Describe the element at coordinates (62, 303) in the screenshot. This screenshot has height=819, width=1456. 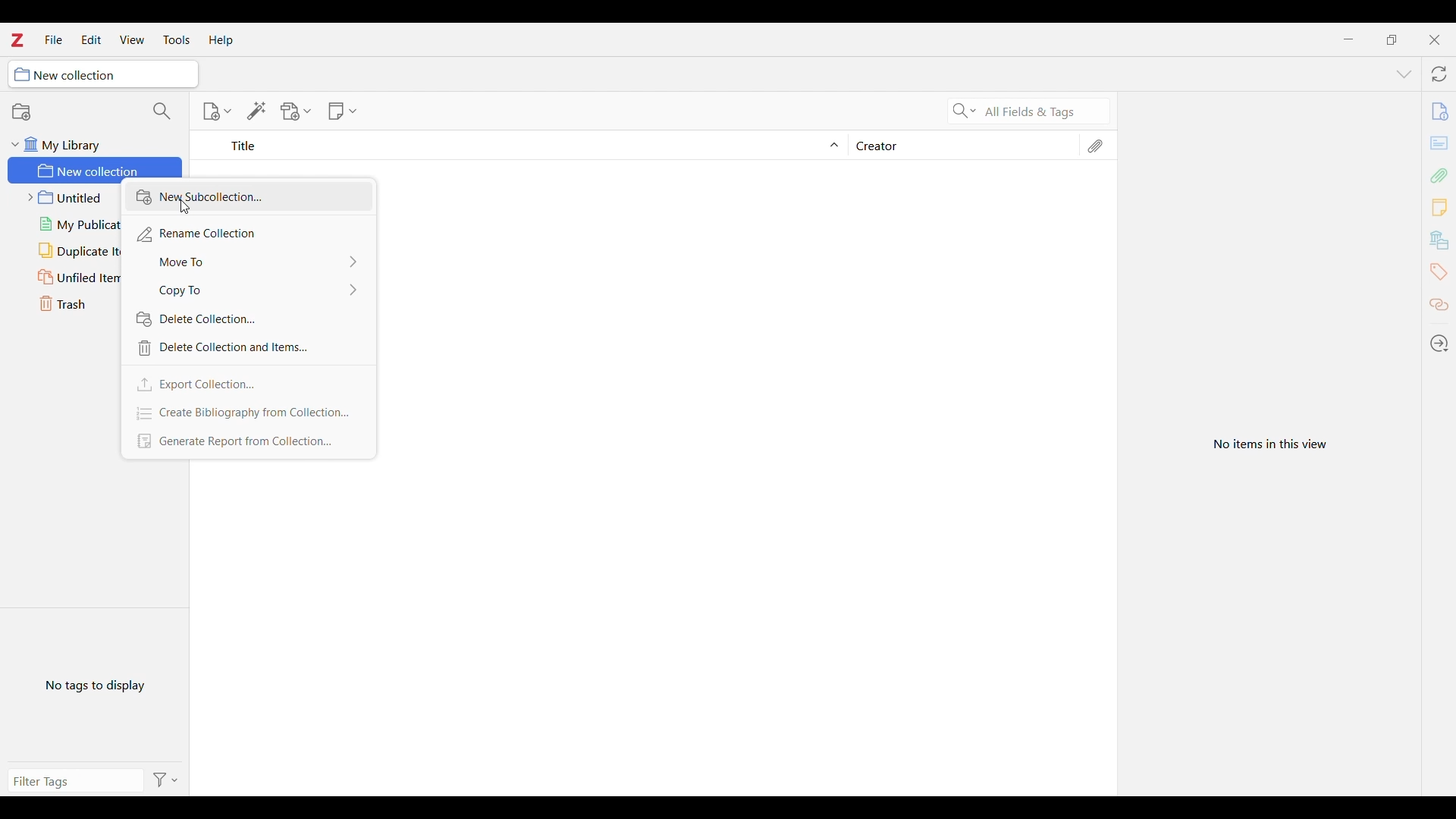
I see `Trash folder` at that location.